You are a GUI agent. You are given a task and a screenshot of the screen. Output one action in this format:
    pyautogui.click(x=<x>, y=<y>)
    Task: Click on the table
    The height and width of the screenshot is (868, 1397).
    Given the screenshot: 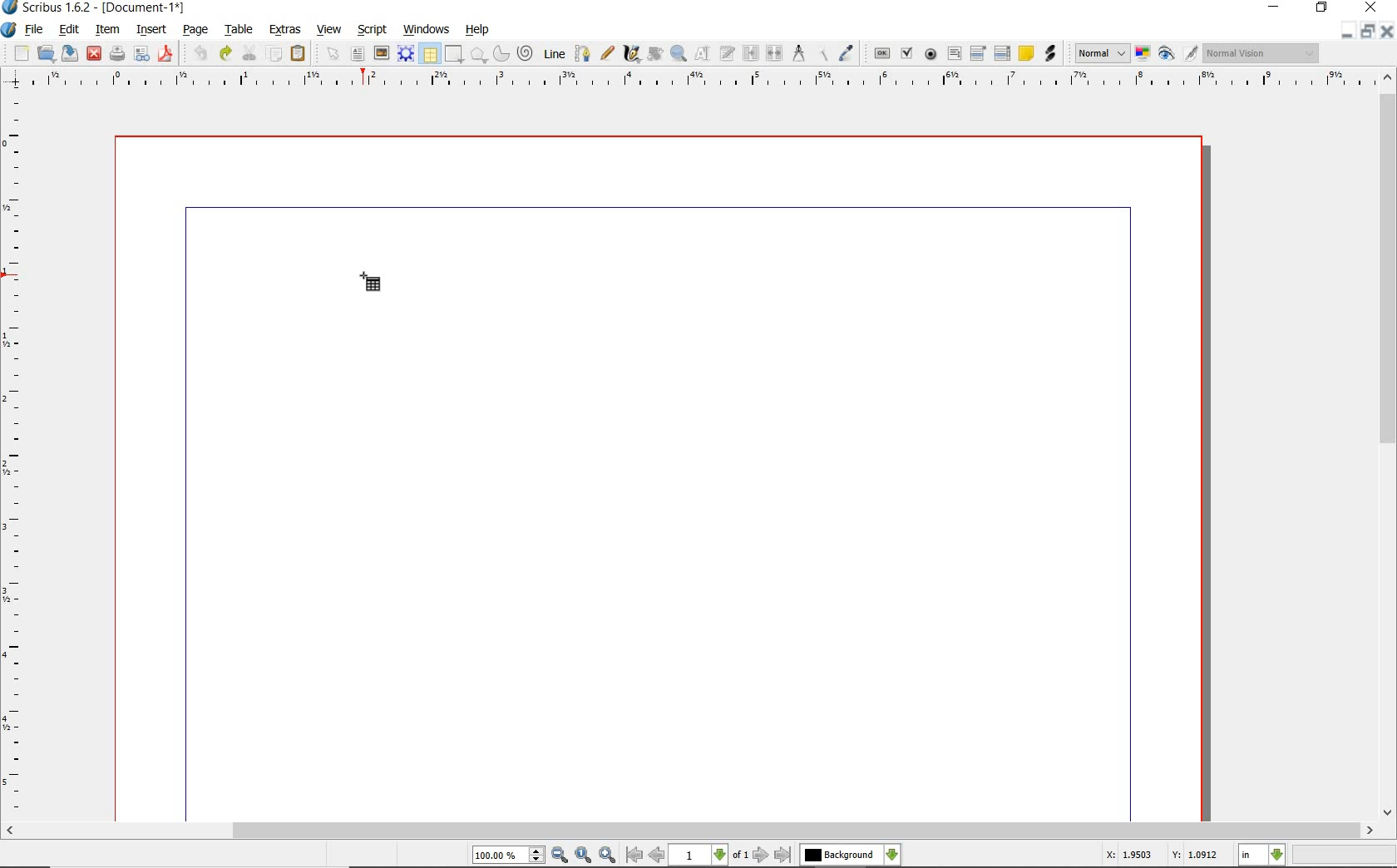 What is the action you would take?
    pyautogui.click(x=430, y=55)
    